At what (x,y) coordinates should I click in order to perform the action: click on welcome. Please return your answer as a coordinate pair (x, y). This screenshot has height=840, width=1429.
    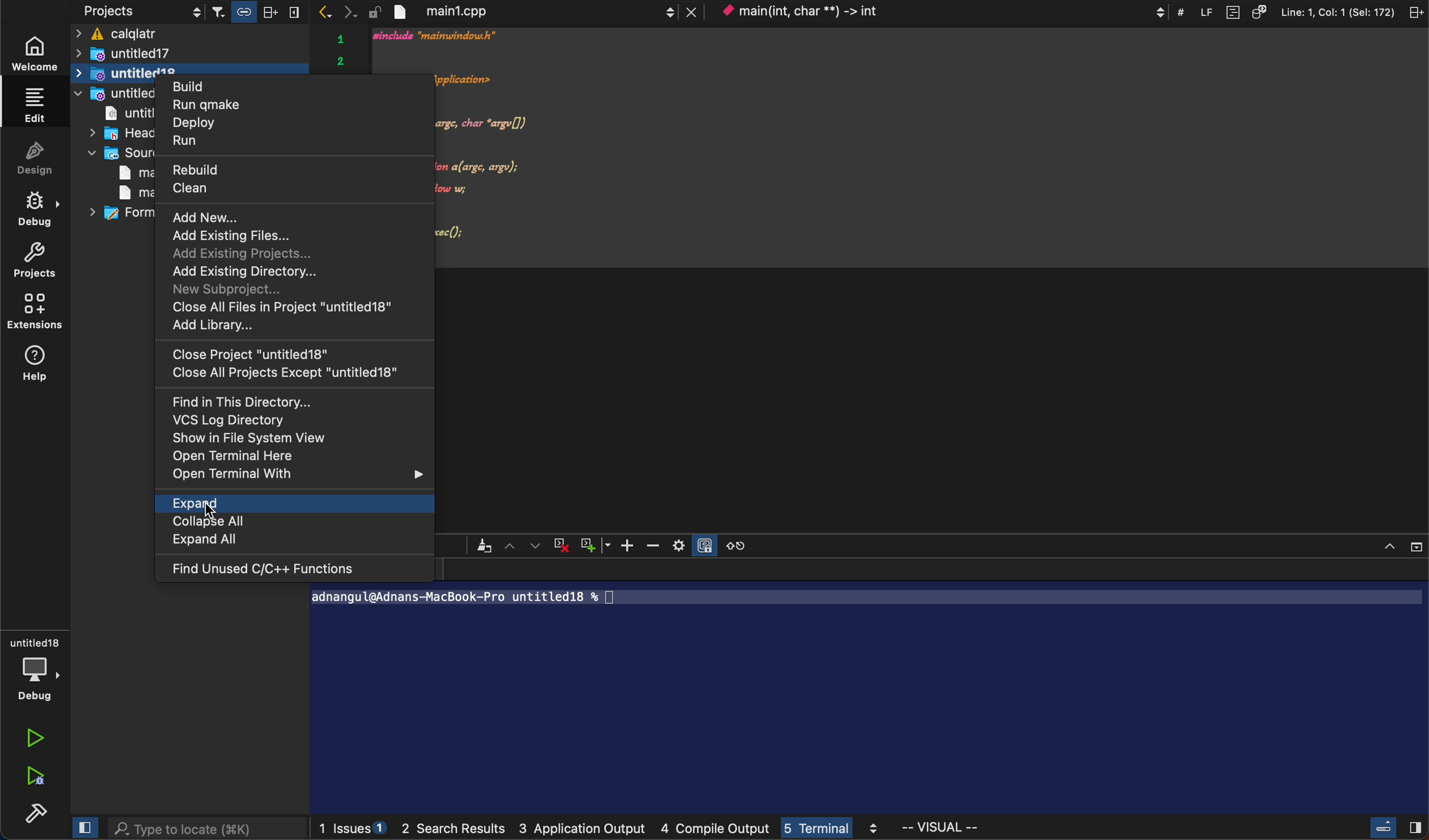
    Looking at the image, I should click on (38, 51).